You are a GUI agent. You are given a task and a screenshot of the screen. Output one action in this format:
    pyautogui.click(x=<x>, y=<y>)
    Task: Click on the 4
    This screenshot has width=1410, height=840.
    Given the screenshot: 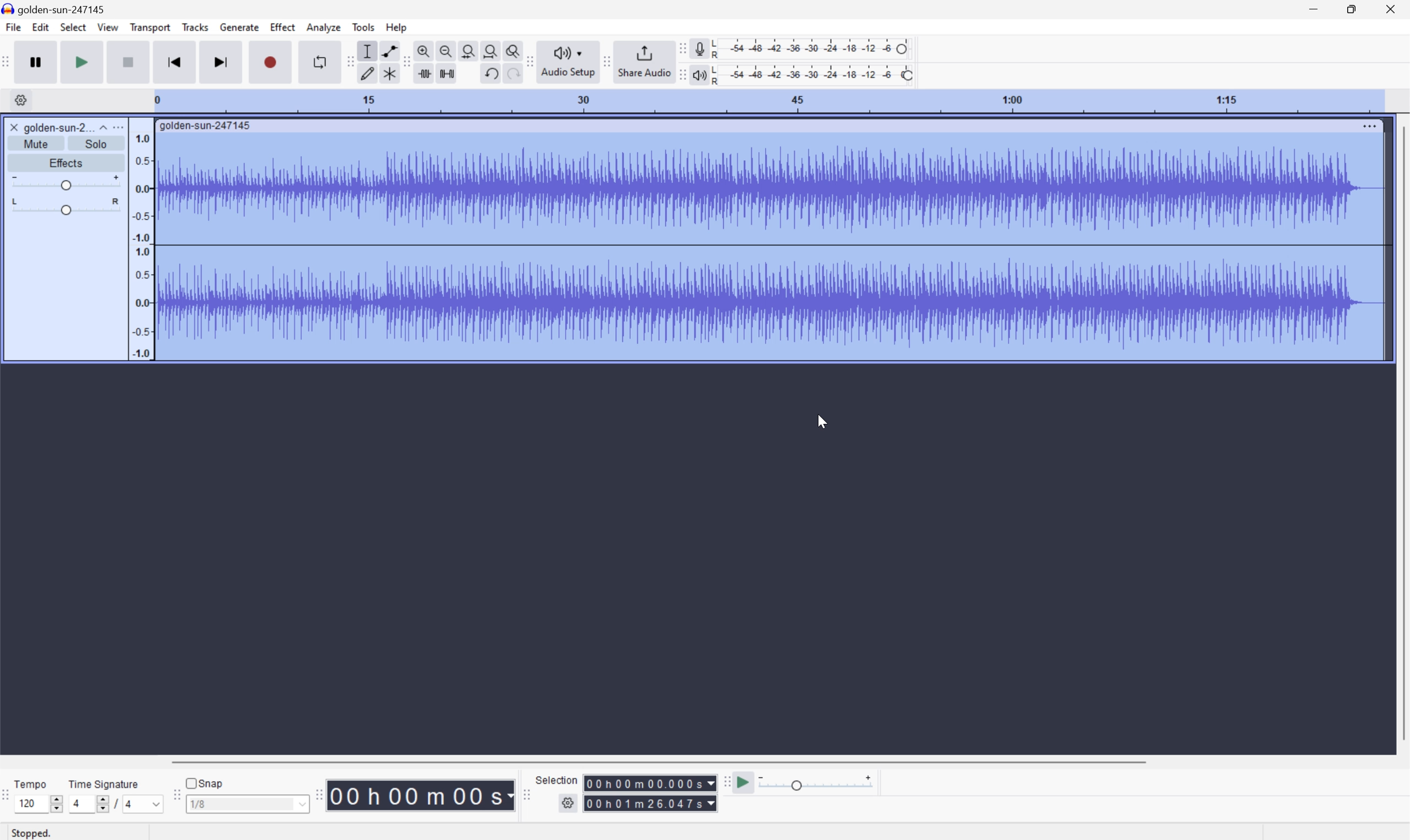 What is the action you would take?
    pyautogui.click(x=144, y=804)
    